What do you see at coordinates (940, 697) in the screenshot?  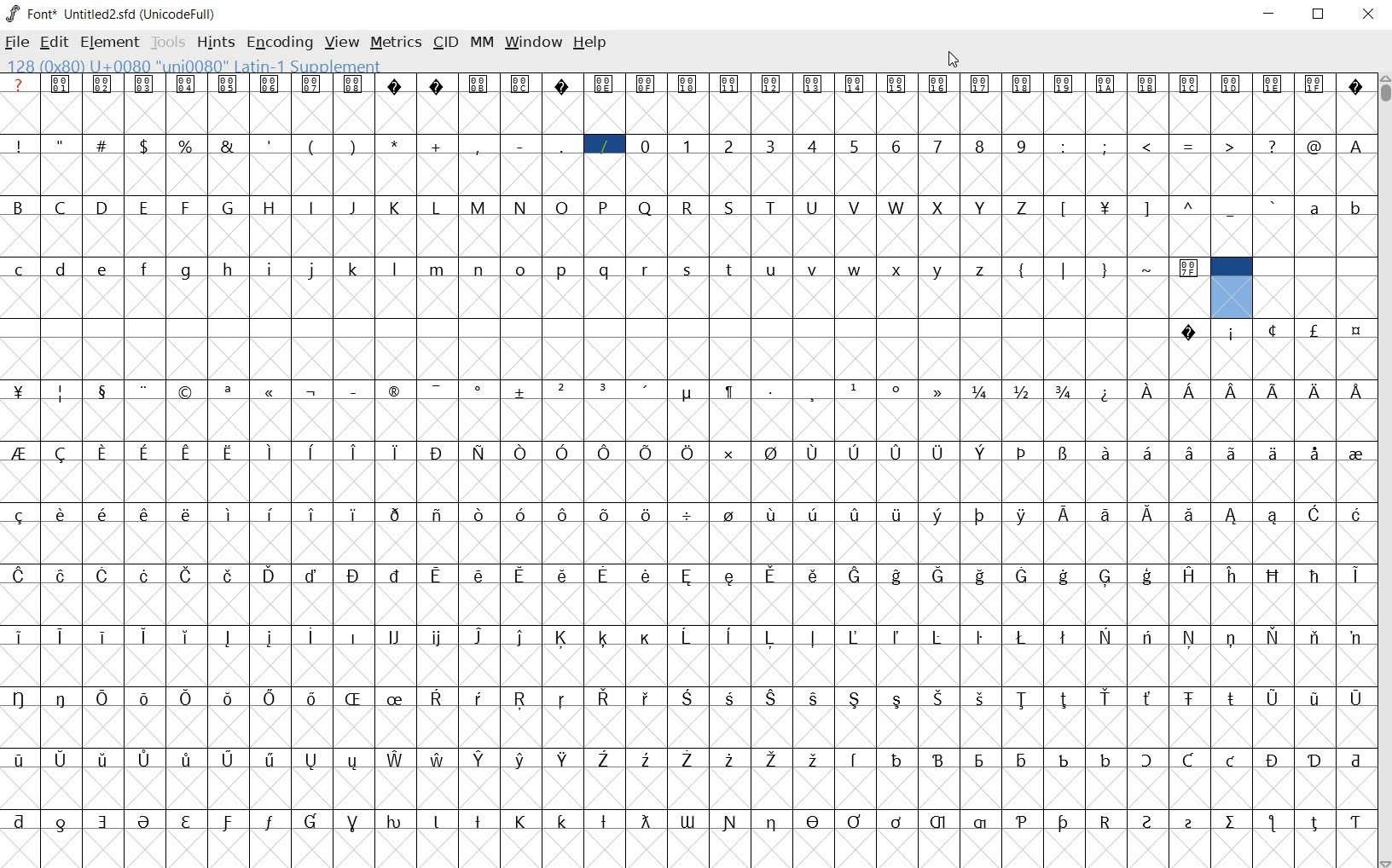 I see `Symbol` at bounding box center [940, 697].